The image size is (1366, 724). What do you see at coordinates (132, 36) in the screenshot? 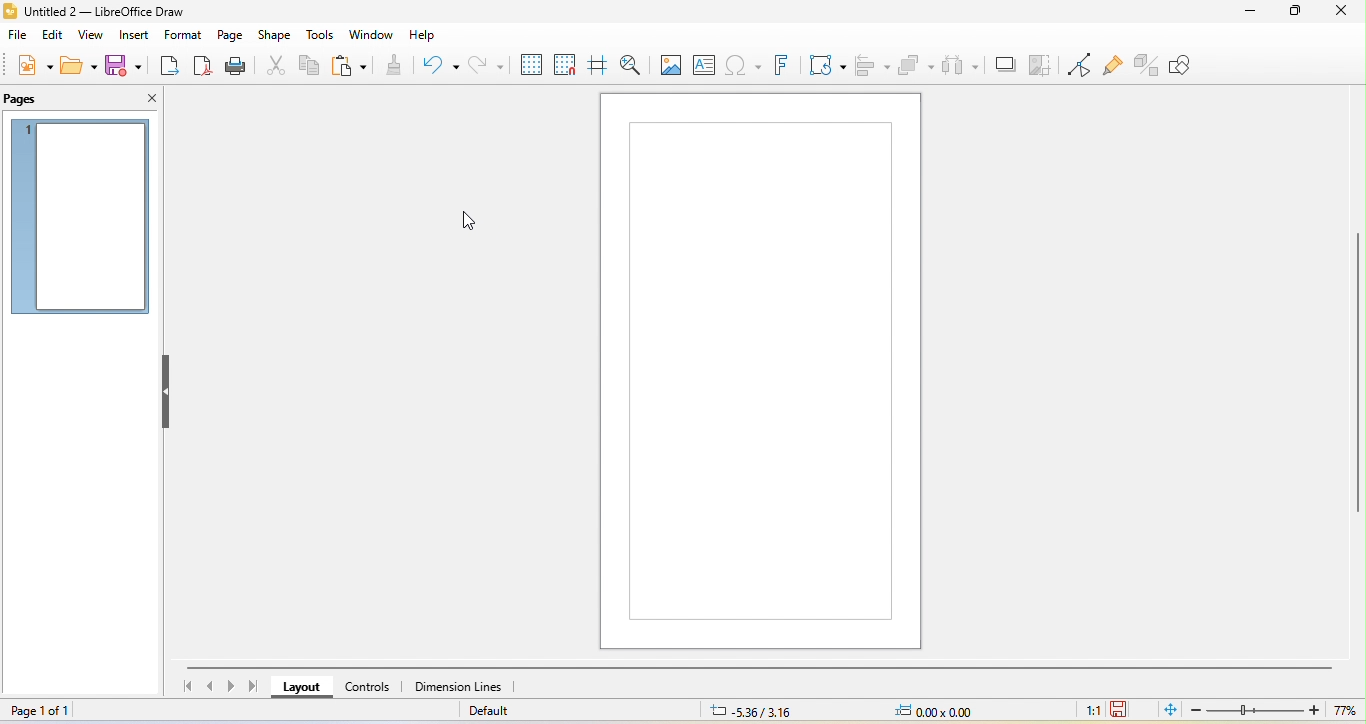
I see `insert` at bounding box center [132, 36].